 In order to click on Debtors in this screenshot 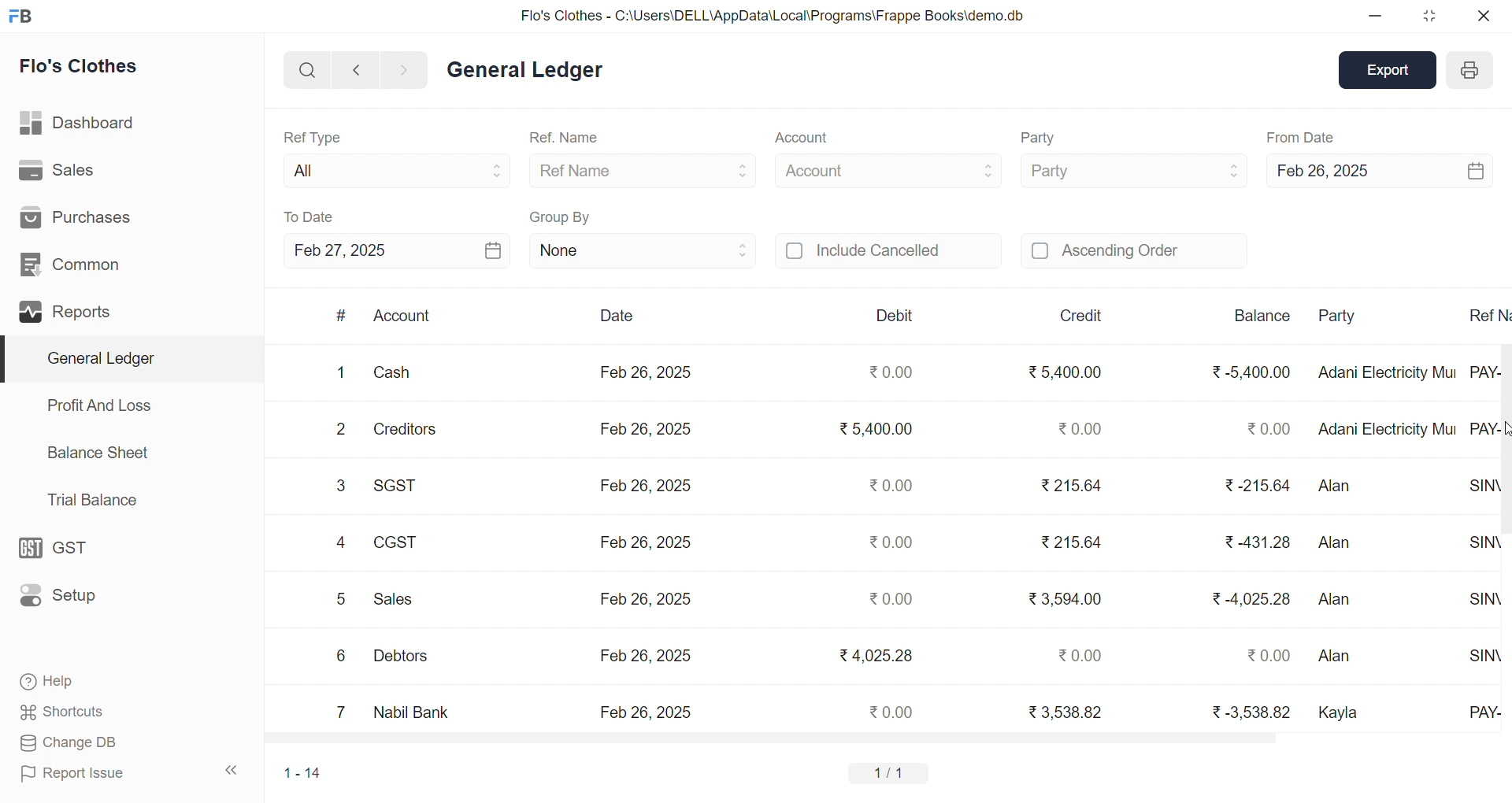, I will do `click(408, 655)`.